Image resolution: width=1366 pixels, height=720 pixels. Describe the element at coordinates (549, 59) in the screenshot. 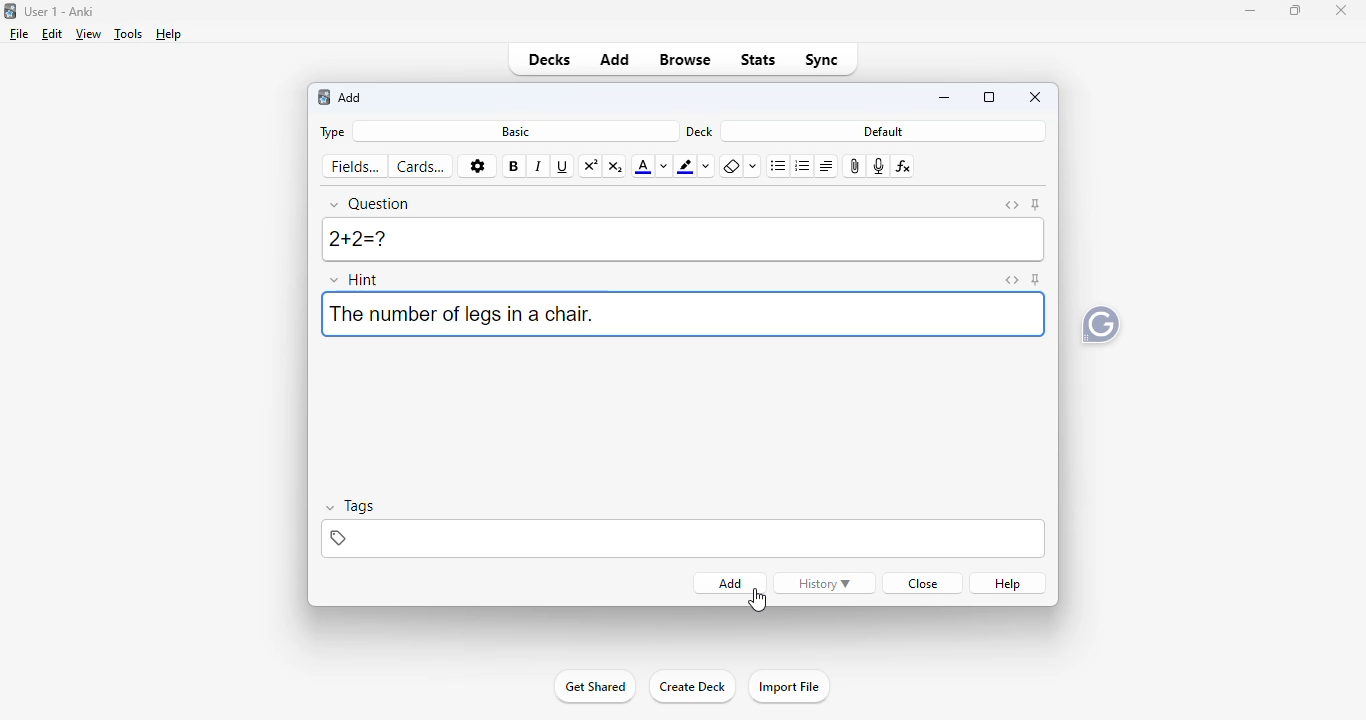

I see `decks` at that location.